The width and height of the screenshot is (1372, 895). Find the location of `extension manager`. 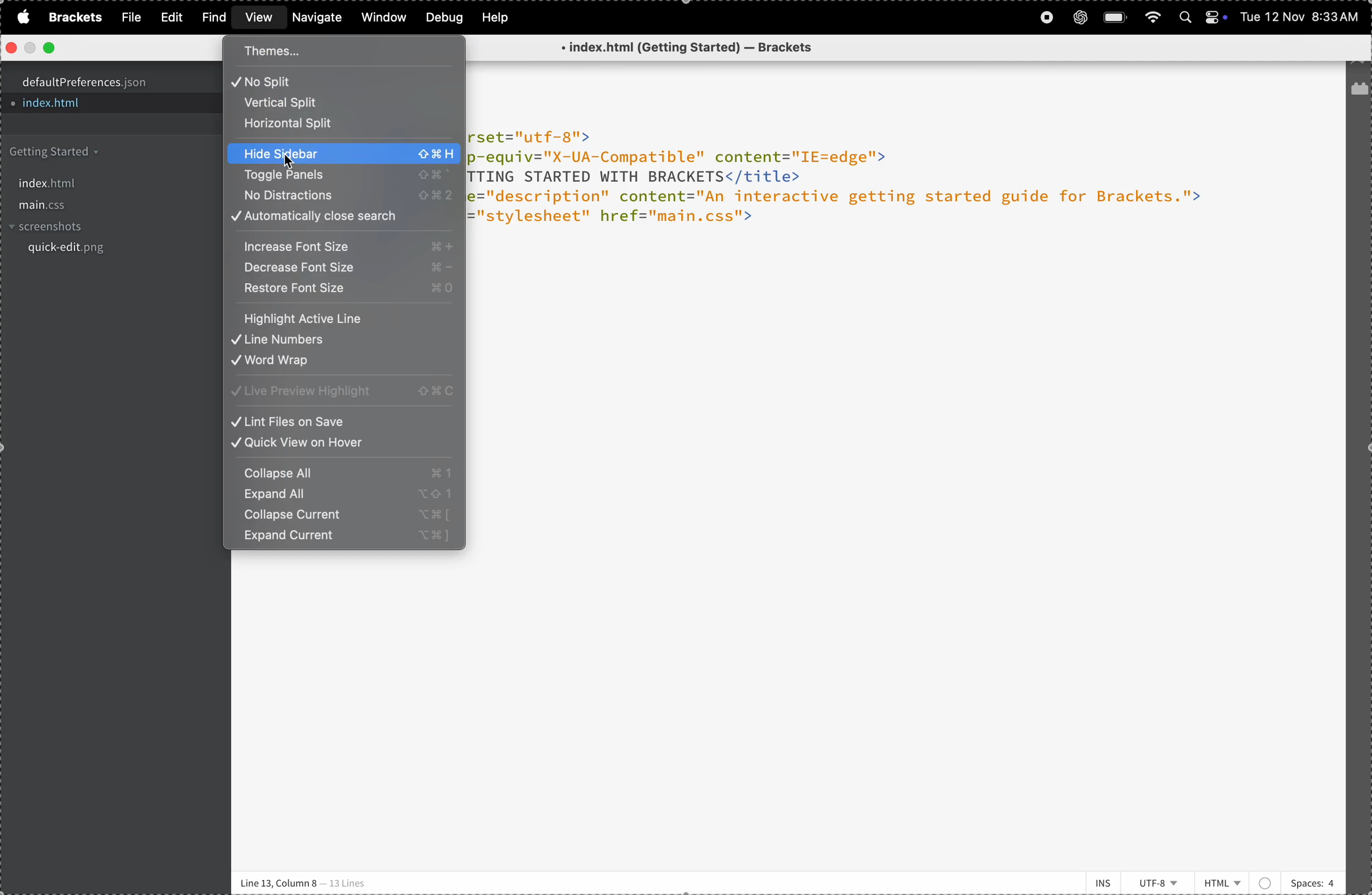

extension manager is located at coordinates (1359, 92).